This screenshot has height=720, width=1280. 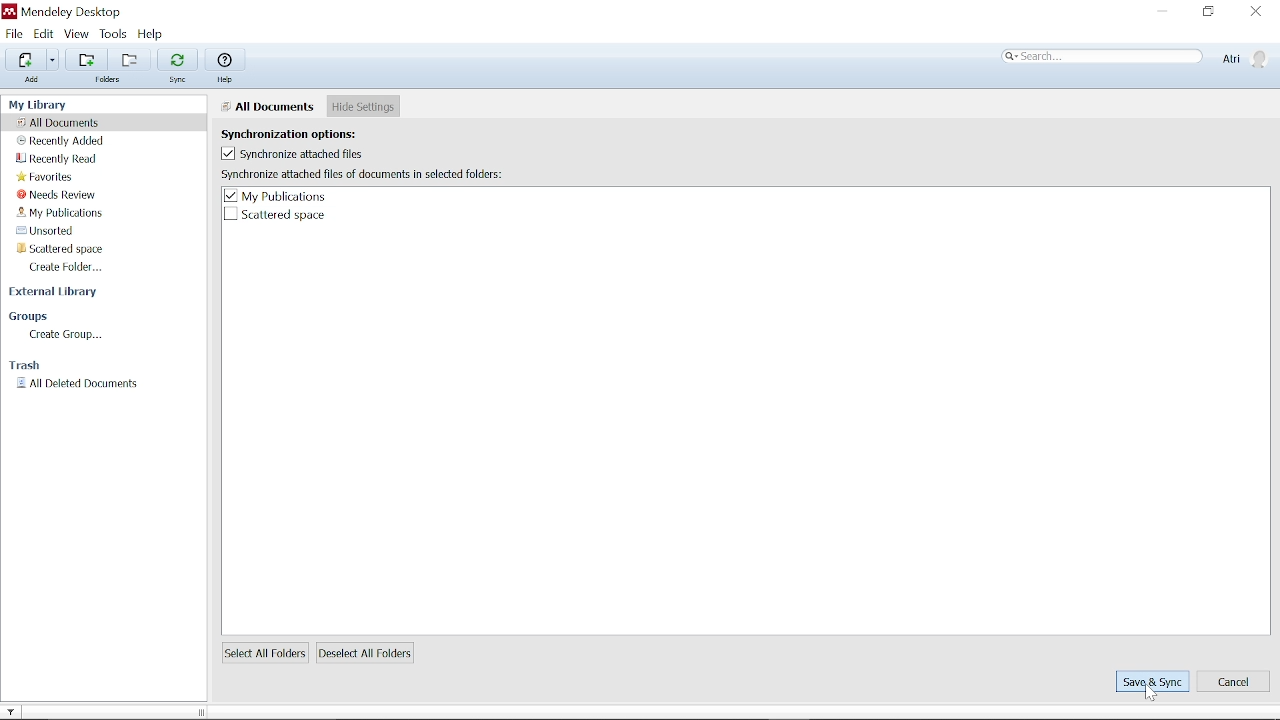 I want to click on External library, so click(x=56, y=295).